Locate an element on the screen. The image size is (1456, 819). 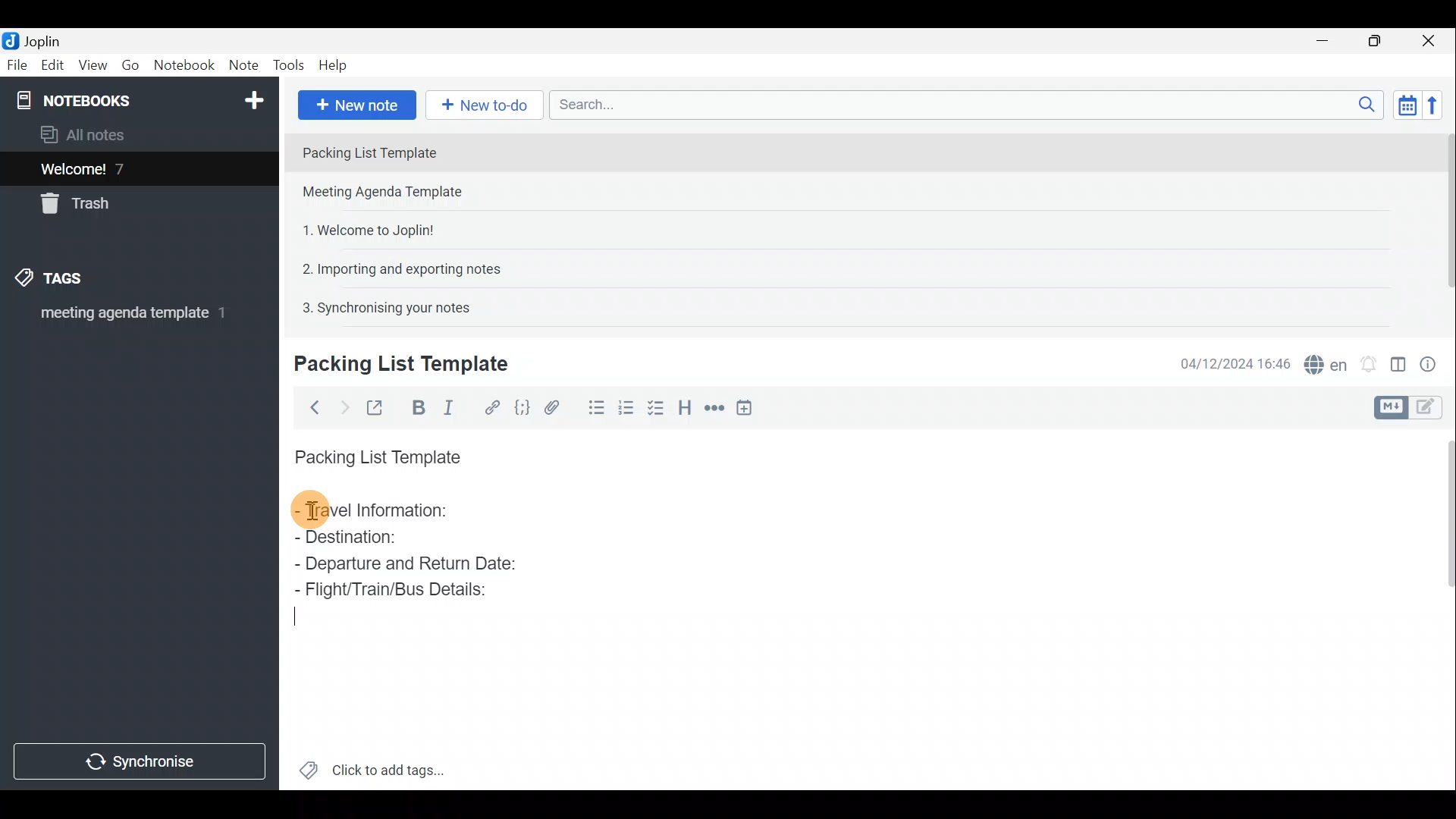
Bold is located at coordinates (416, 406).